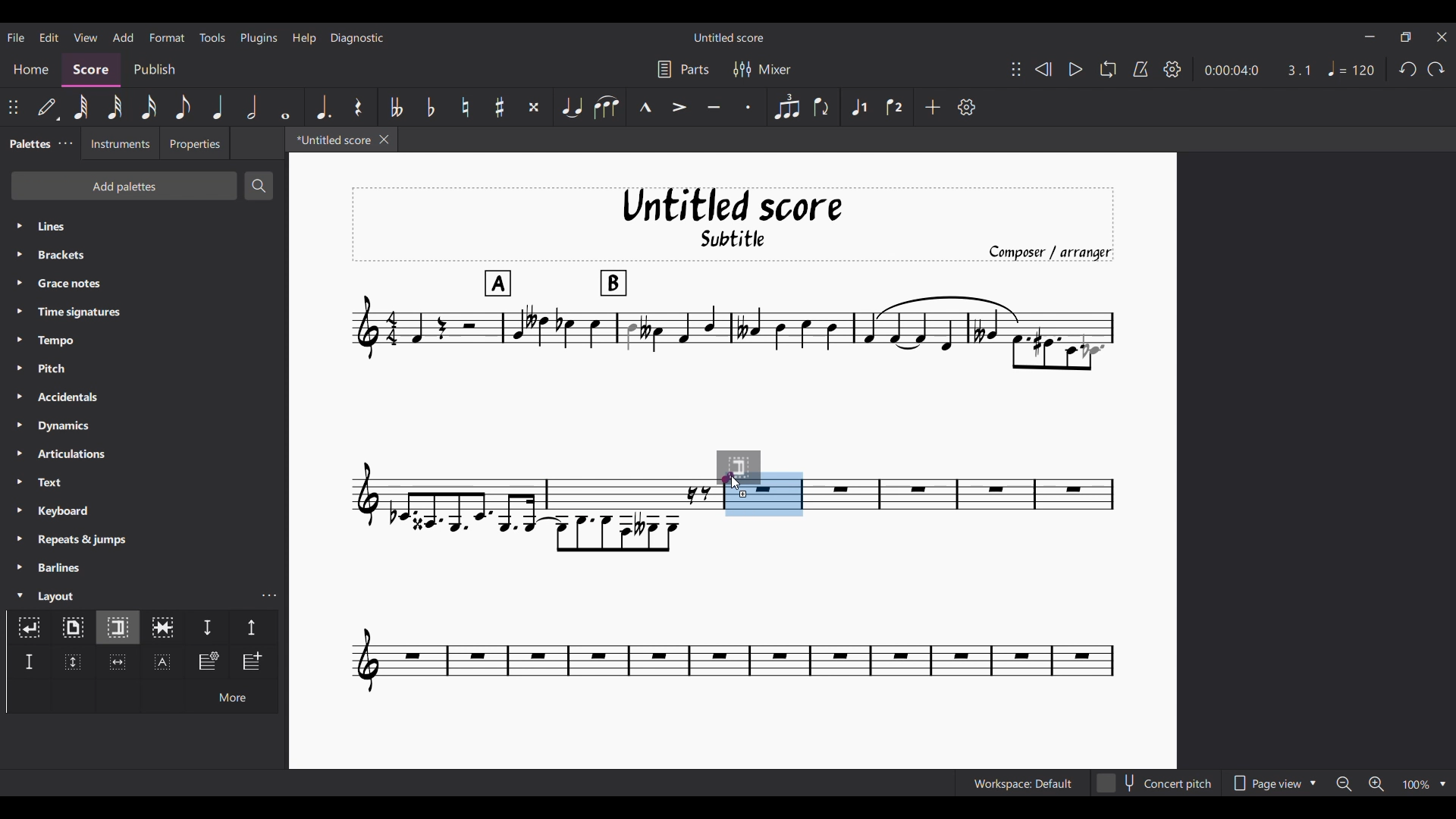  What do you see at coordinates (16, 37) in the screenshot?
I see `File menu` at bounding box center [16, 37].